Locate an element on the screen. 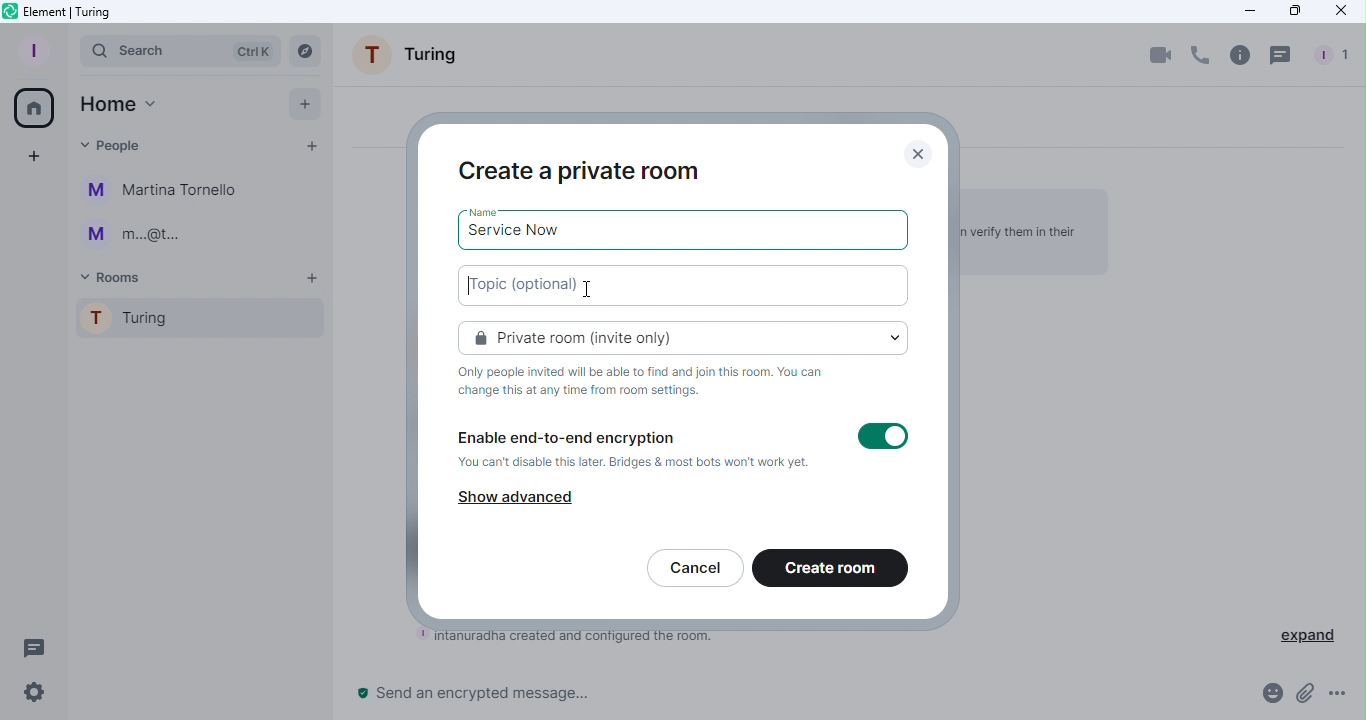 This screenshot has width=1366, height=720. Call is located at coordinates (1198, 56).